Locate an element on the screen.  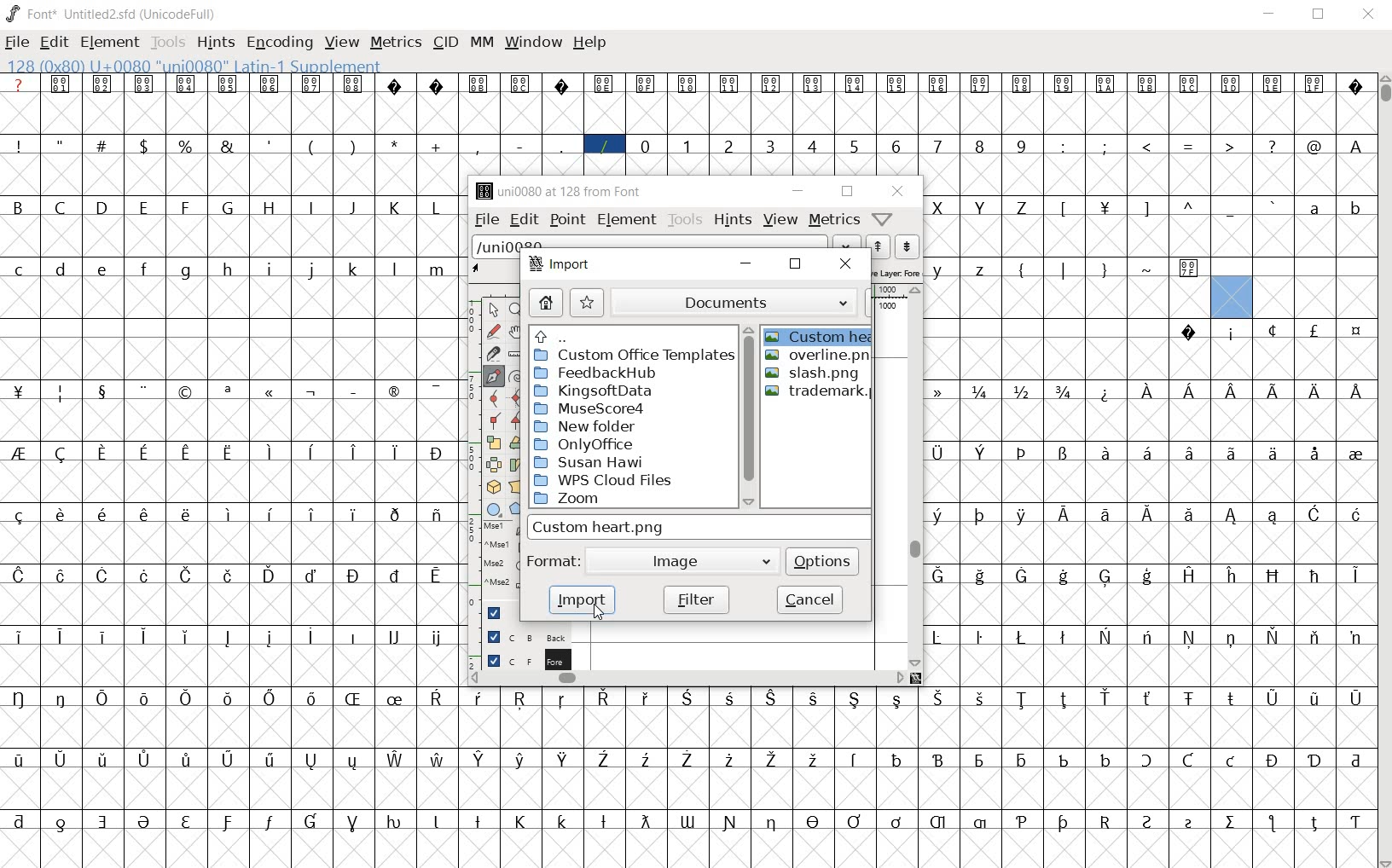
glyph is located at coordinates (145, 391).